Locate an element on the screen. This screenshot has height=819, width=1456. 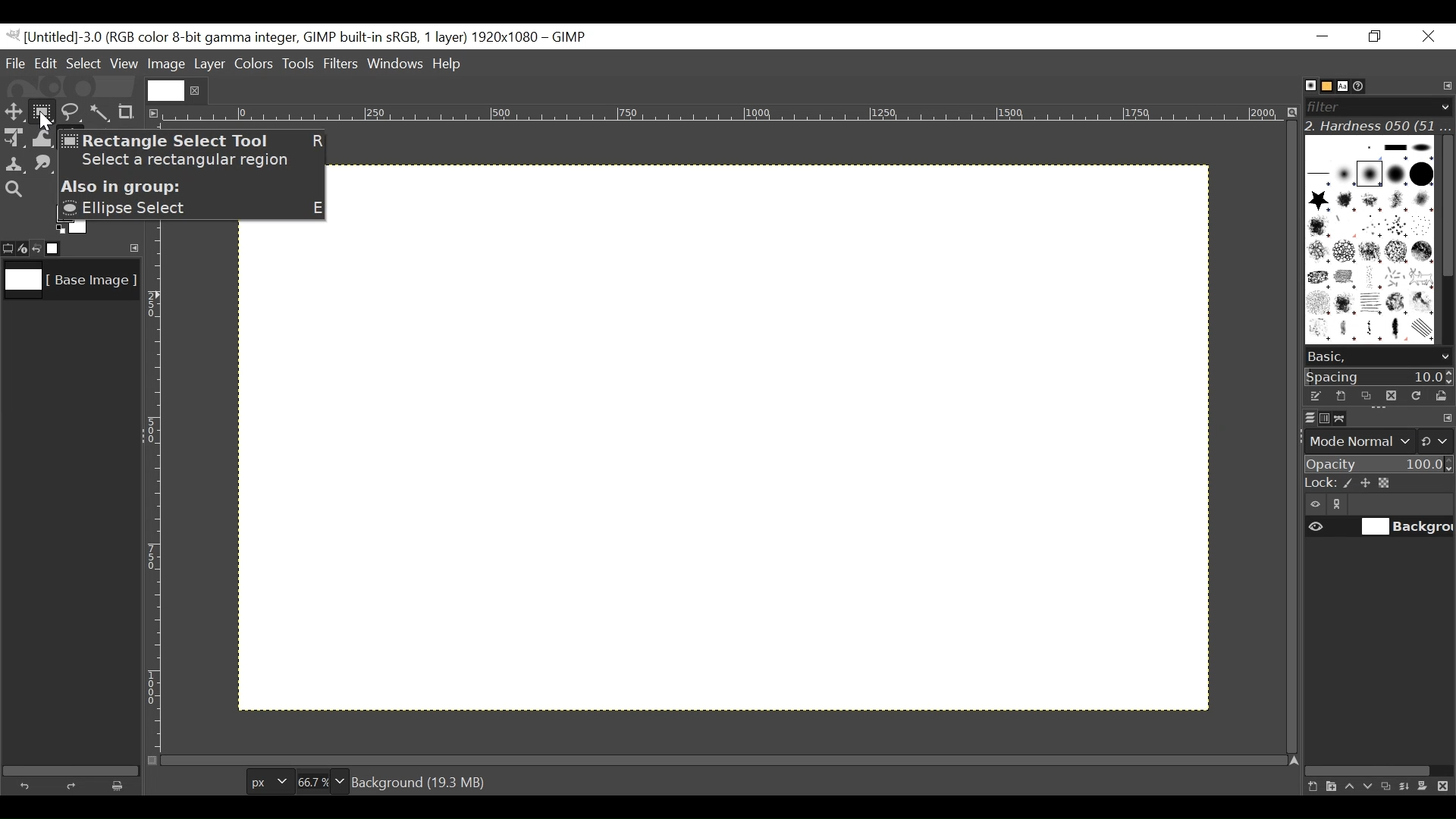
Redo is located at coordinates (74, 786).